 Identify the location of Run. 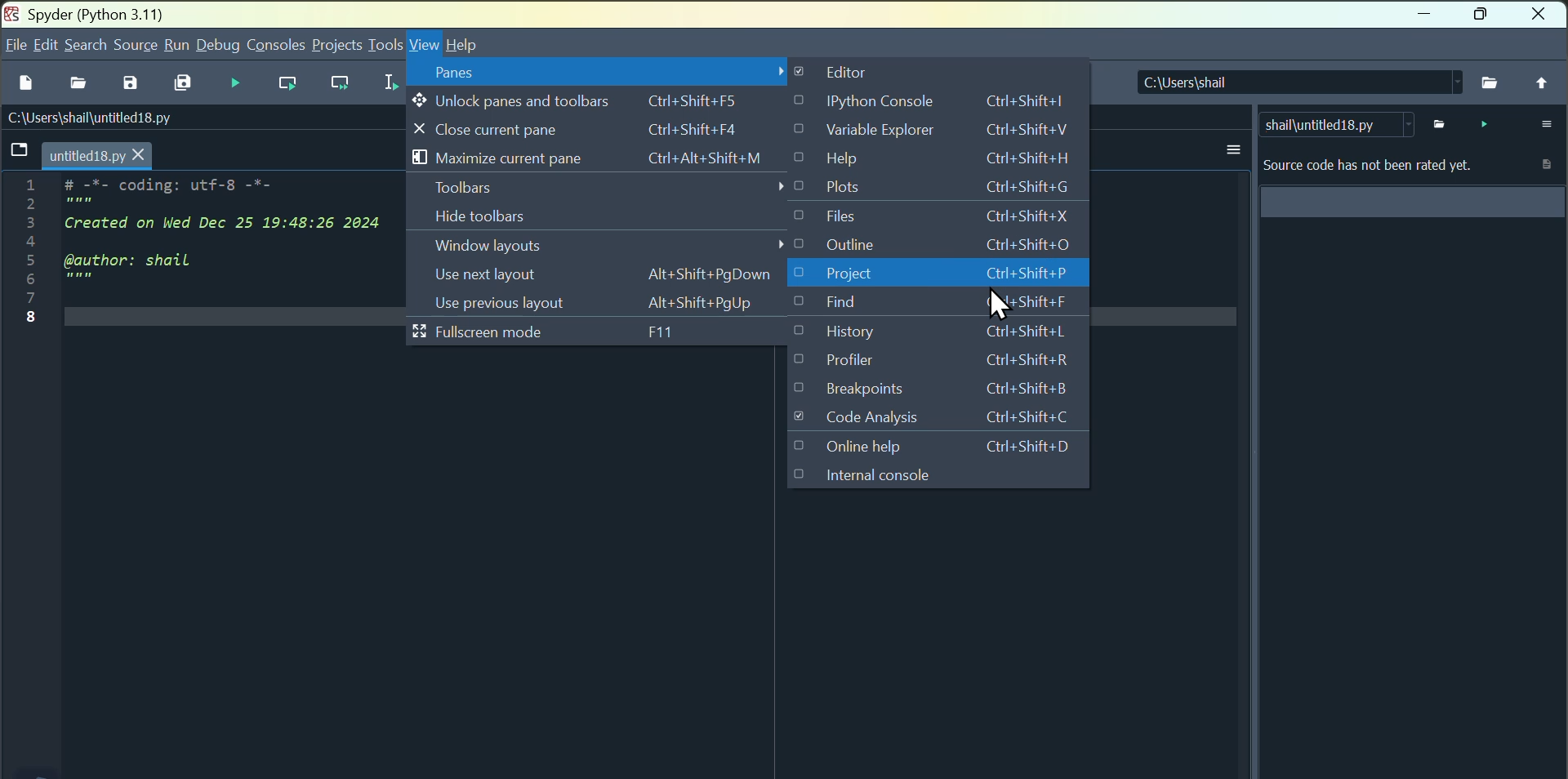
(175, 47).